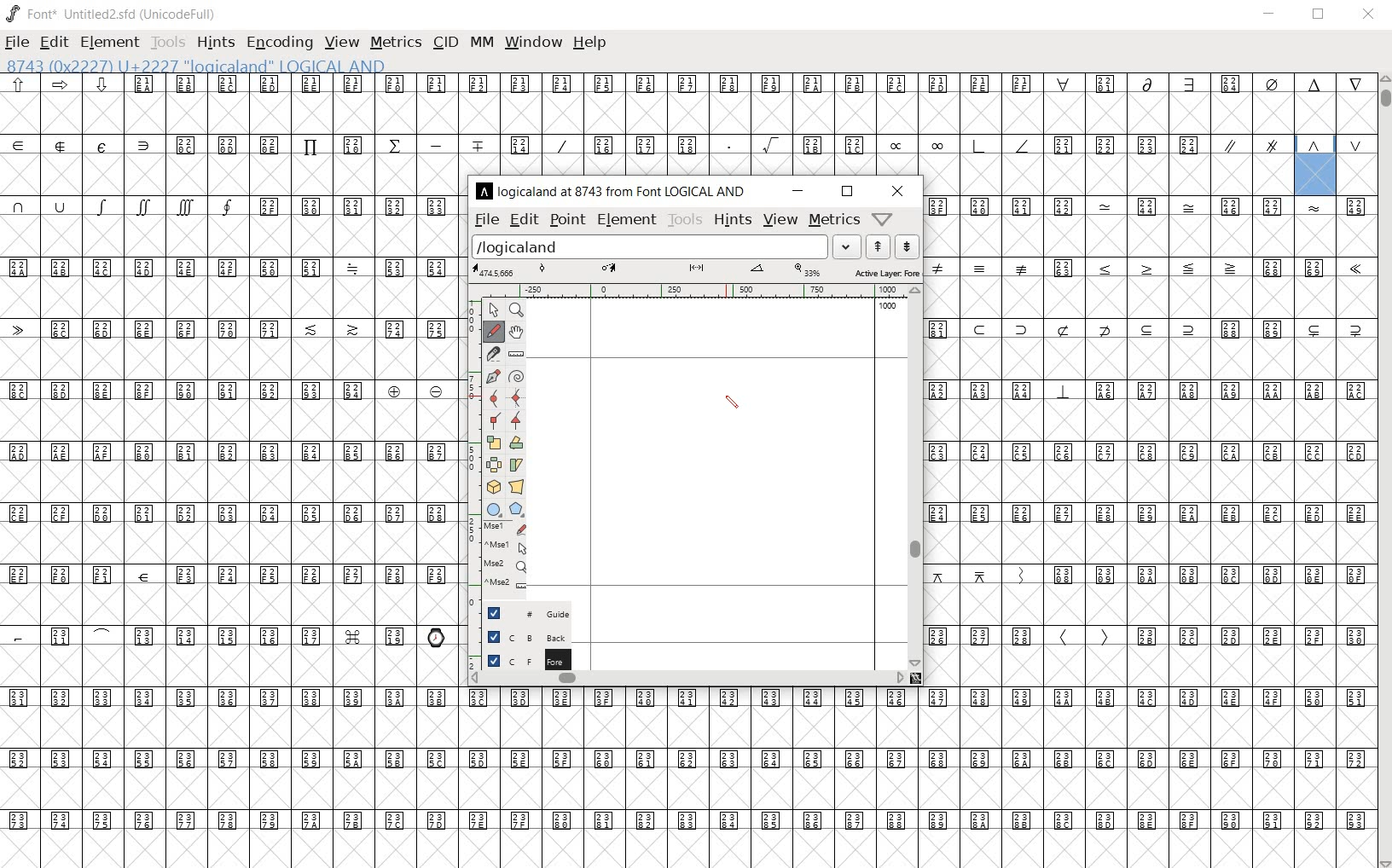  Describe the element at coordinates (517, 510) in the screenshot. I see `polygon or star` at that location.